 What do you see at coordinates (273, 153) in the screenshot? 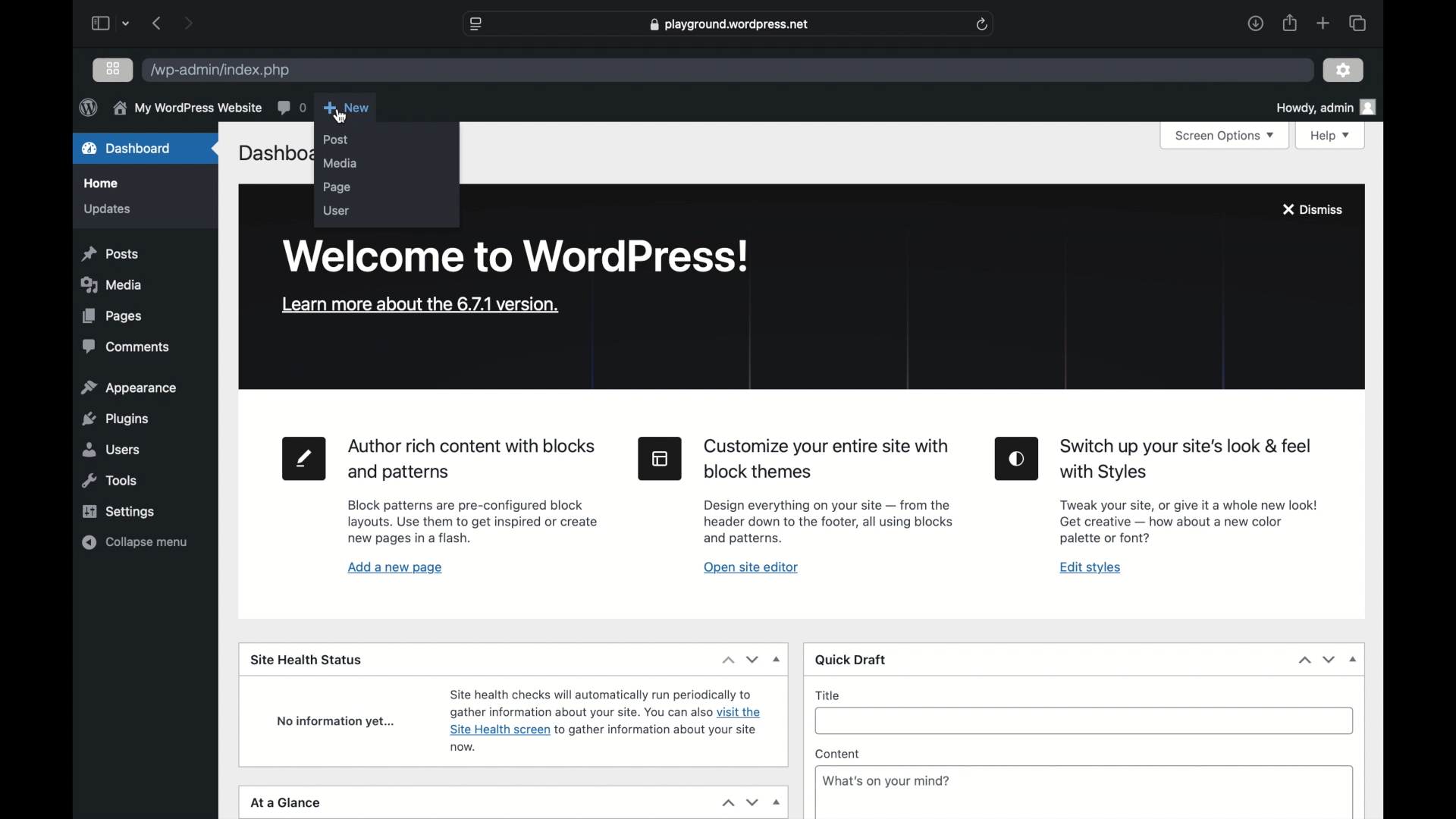
I see `obscure text` at bounding box center [273, 153].